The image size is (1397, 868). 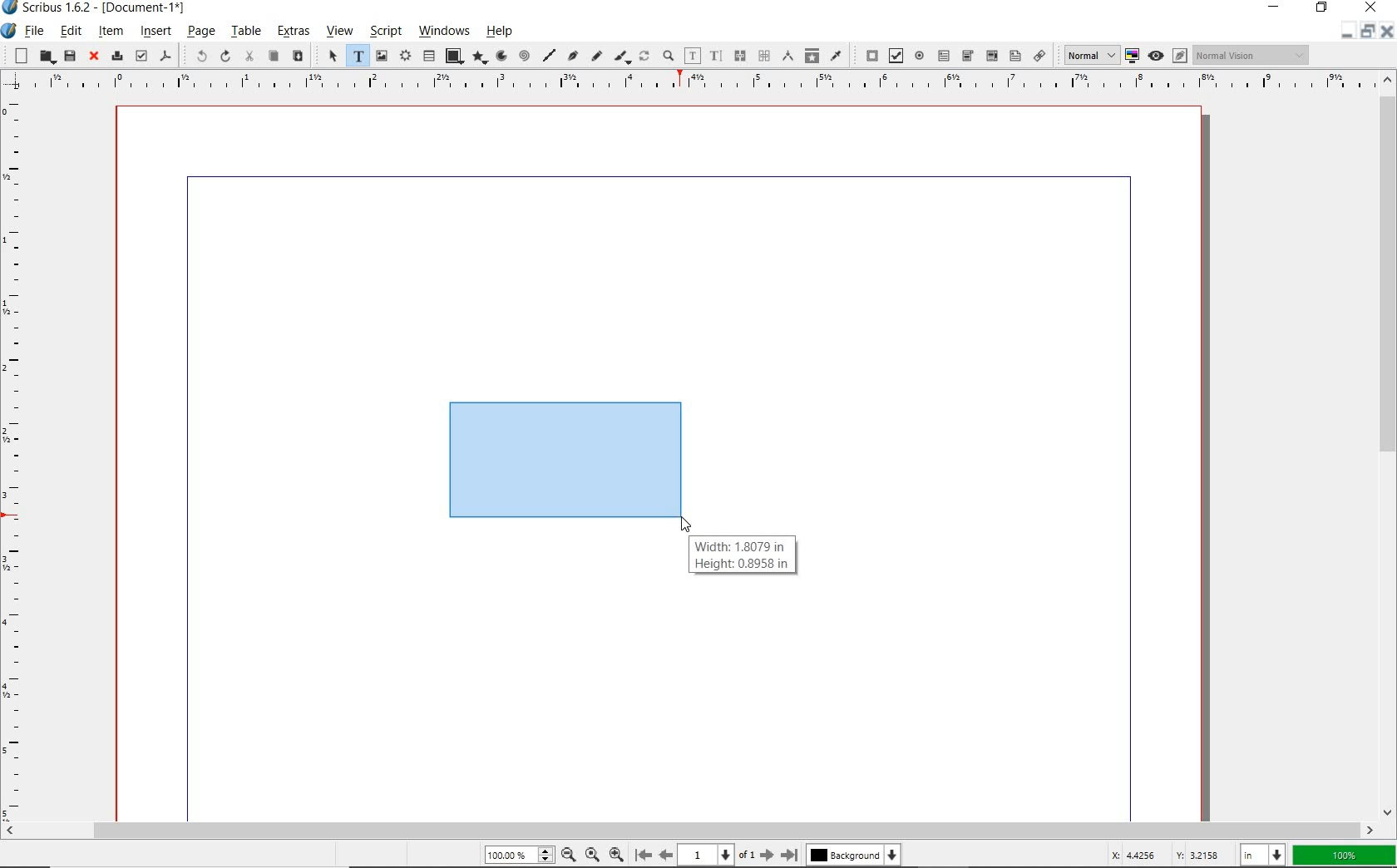 What do you see at coordinates (196, 55) in the screenshot?
I see `undo` at bounding box center [196, 55].